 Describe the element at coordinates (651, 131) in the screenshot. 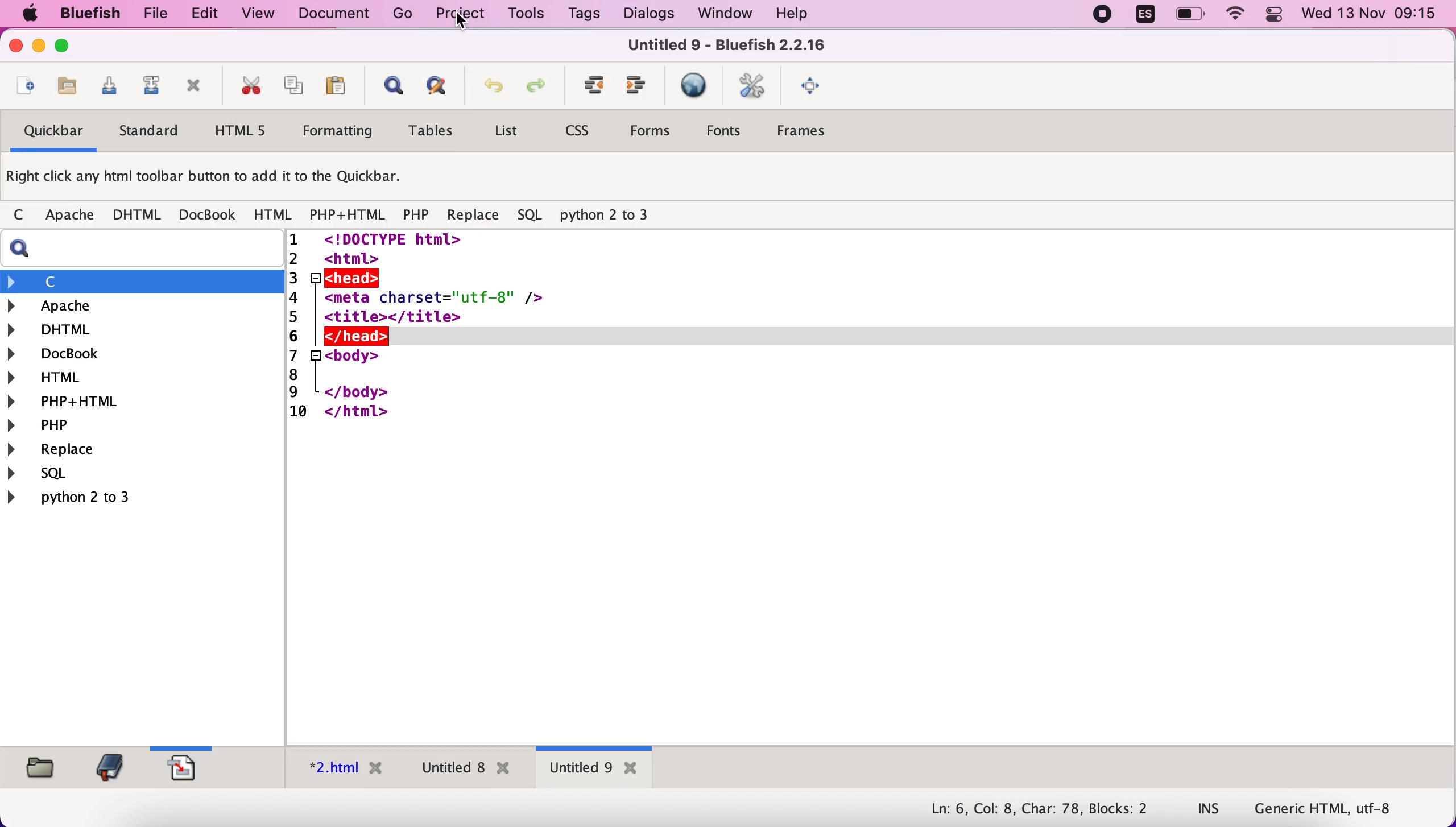

I see `forms` at that location.